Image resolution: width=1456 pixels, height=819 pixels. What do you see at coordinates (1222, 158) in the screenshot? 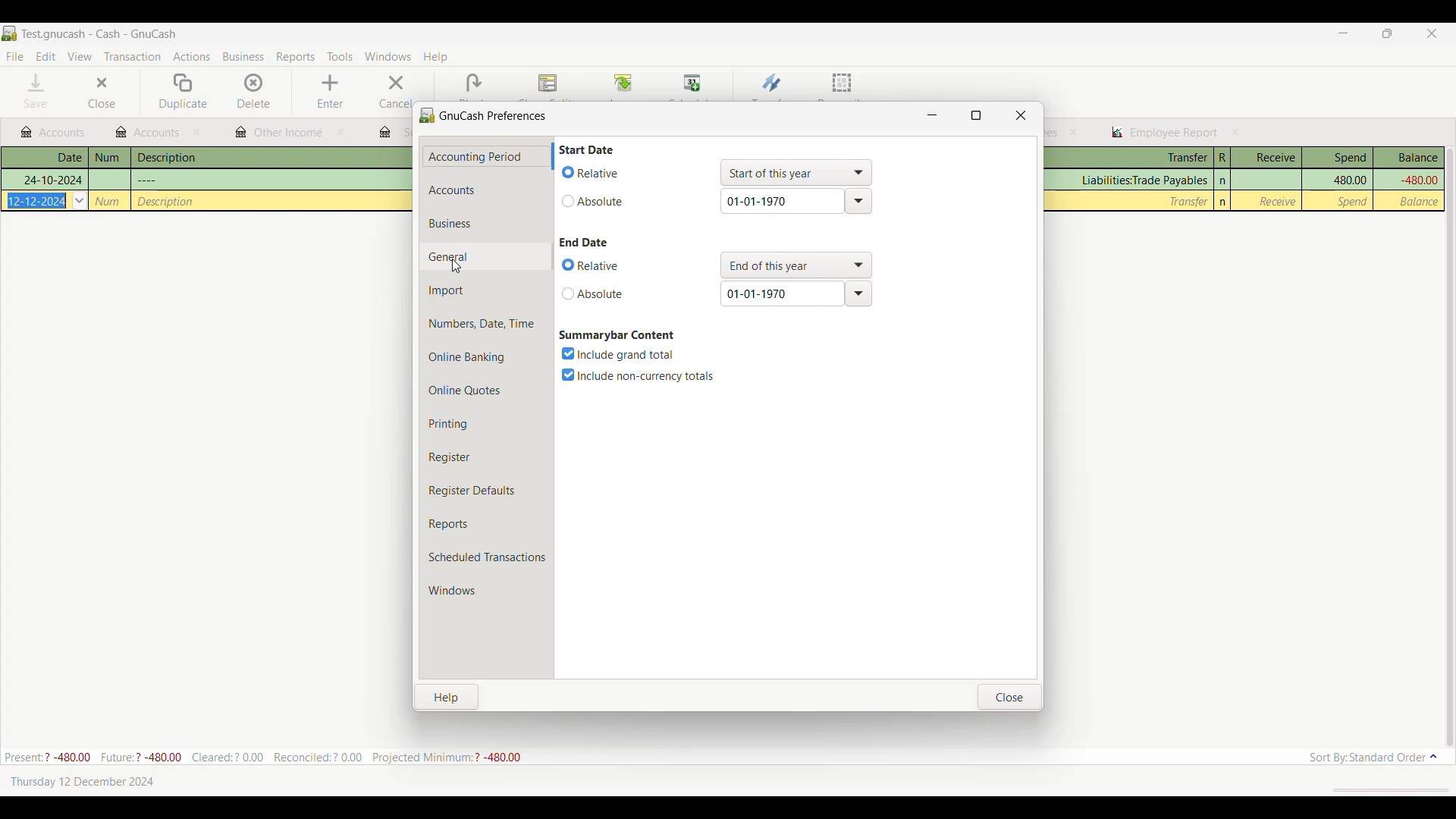
I see `R column` at bounding box center [1222, 158].